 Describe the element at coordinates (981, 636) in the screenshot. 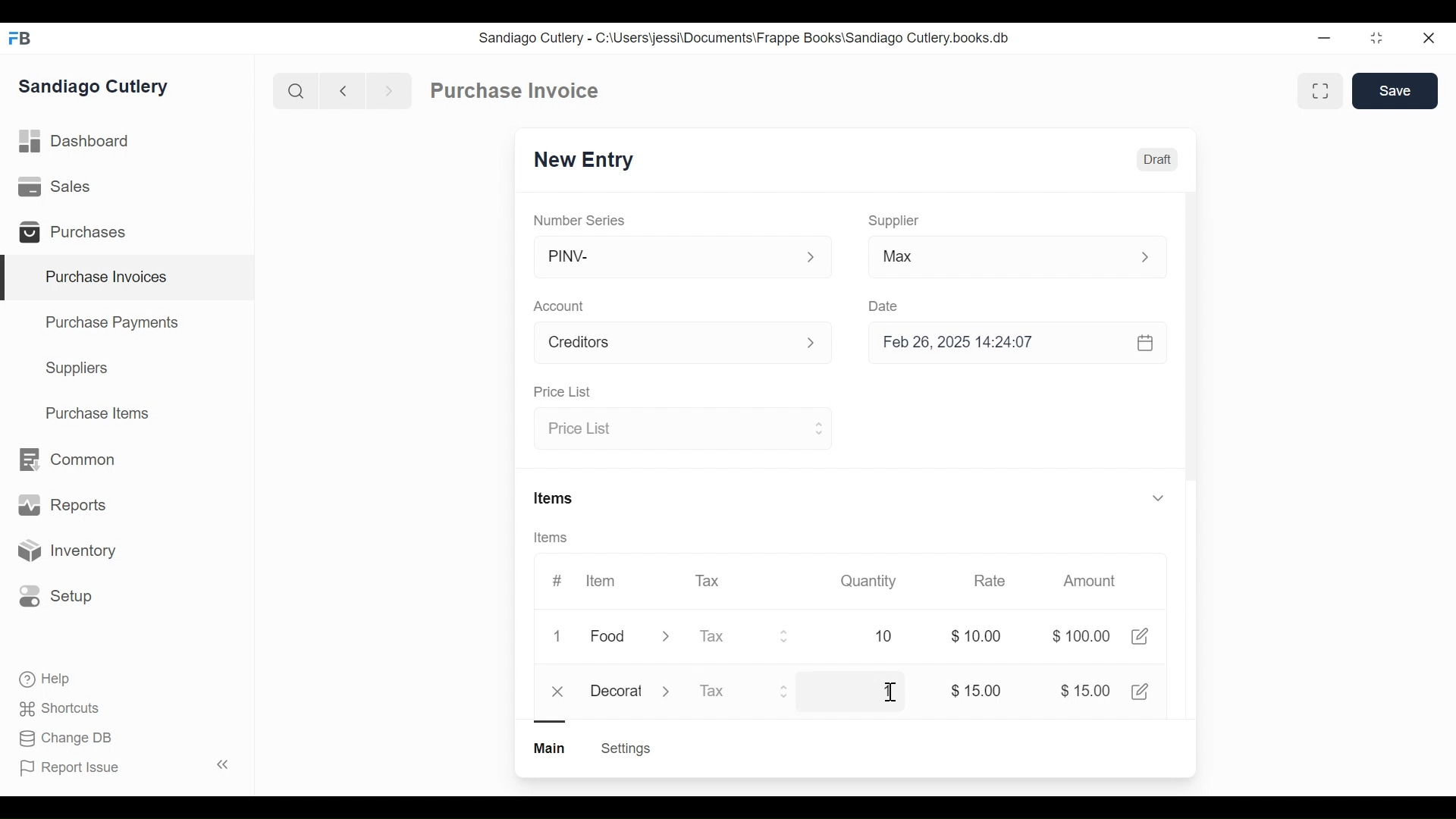

I see `$0.00` at that location.